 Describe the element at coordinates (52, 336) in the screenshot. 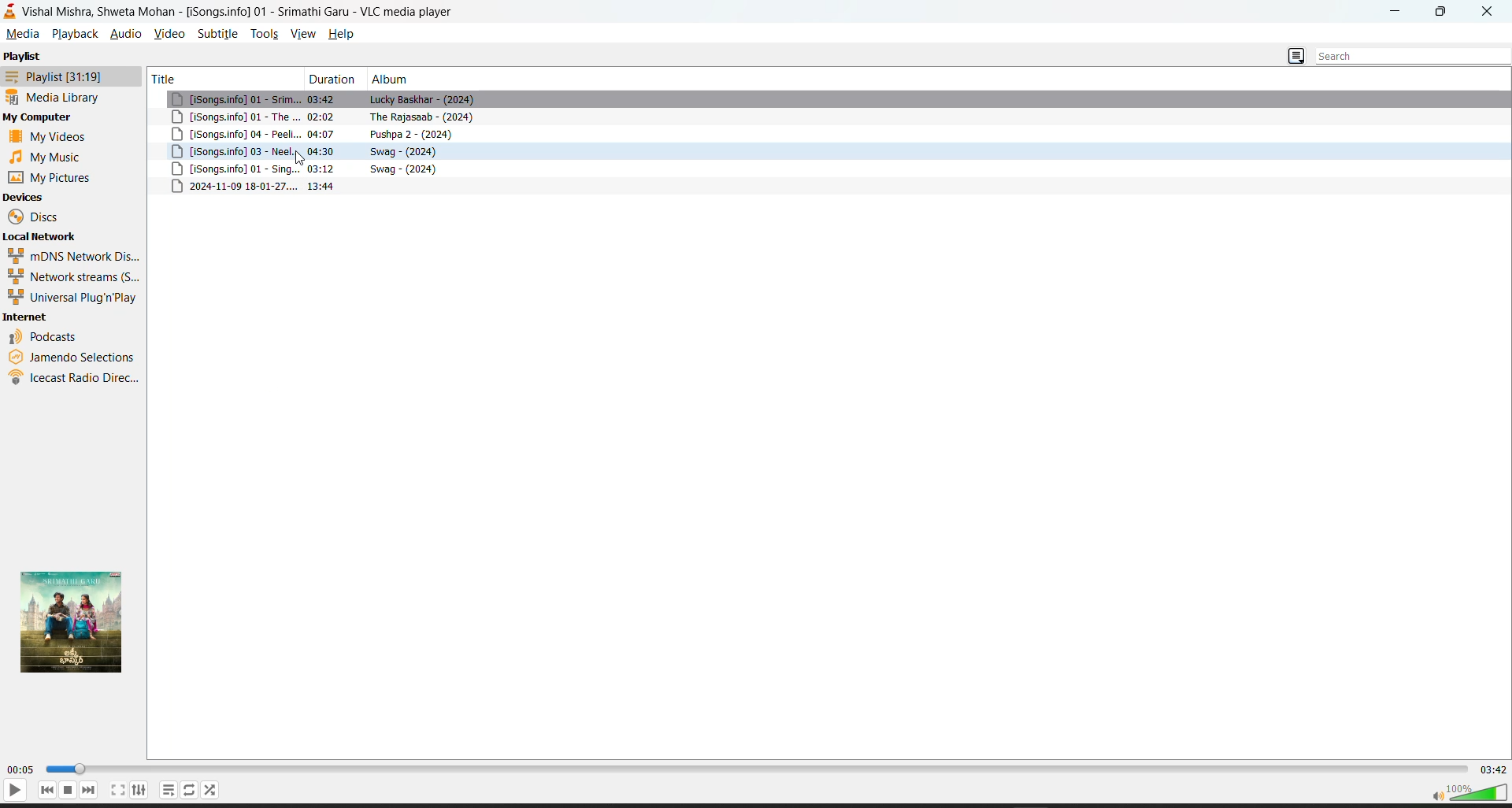

I see `podcast` at that location.